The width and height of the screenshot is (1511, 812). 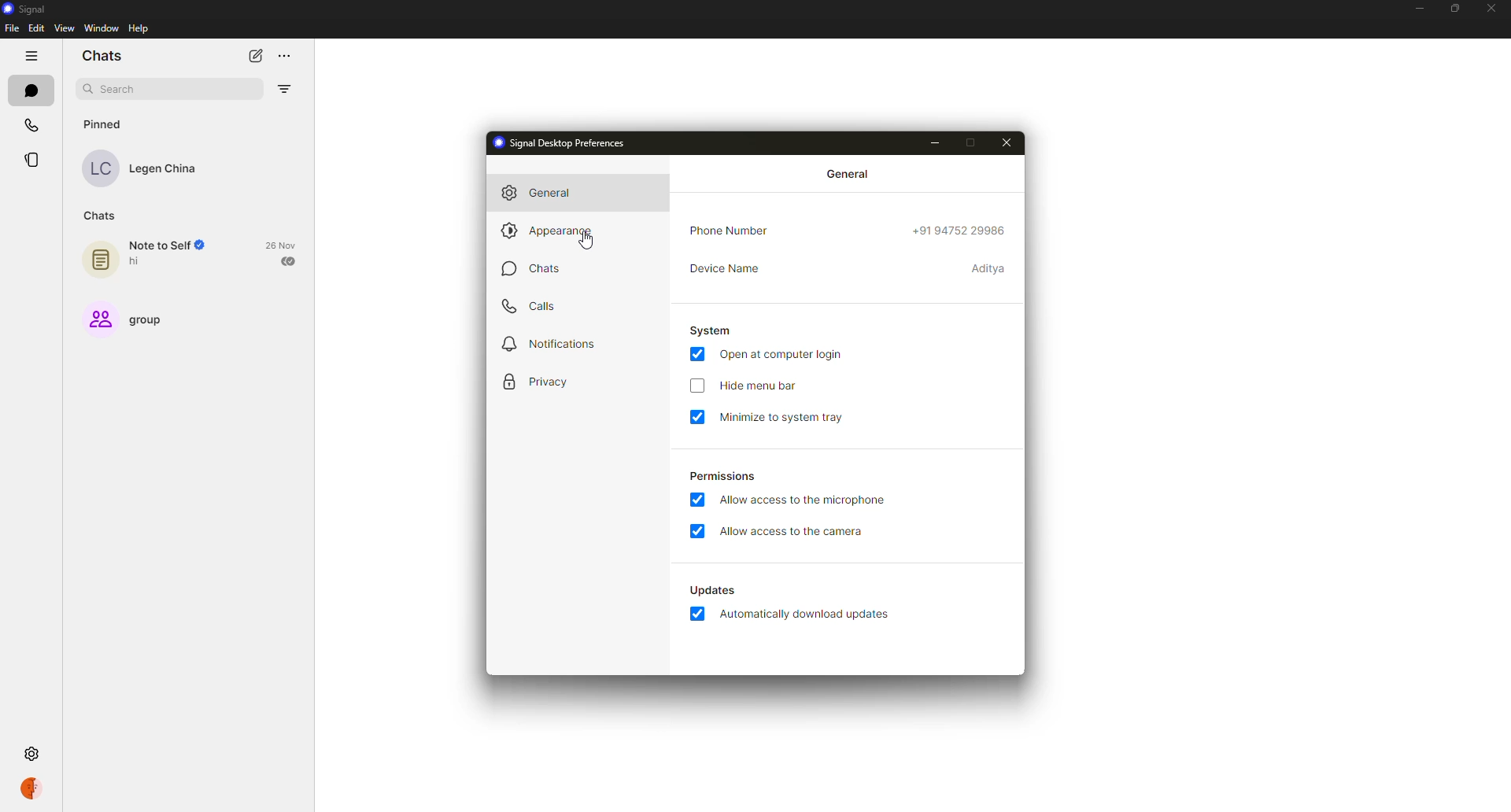 I want to click on allow access to microphone, so click(x=801, y=500).